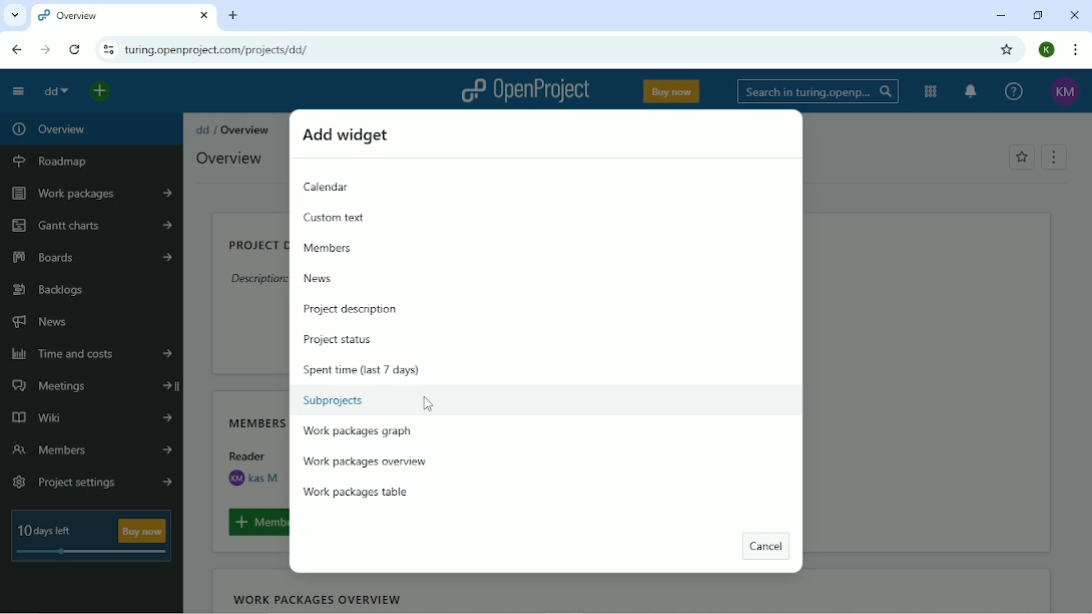  I want to click on Time and costs, so click(93, 354).